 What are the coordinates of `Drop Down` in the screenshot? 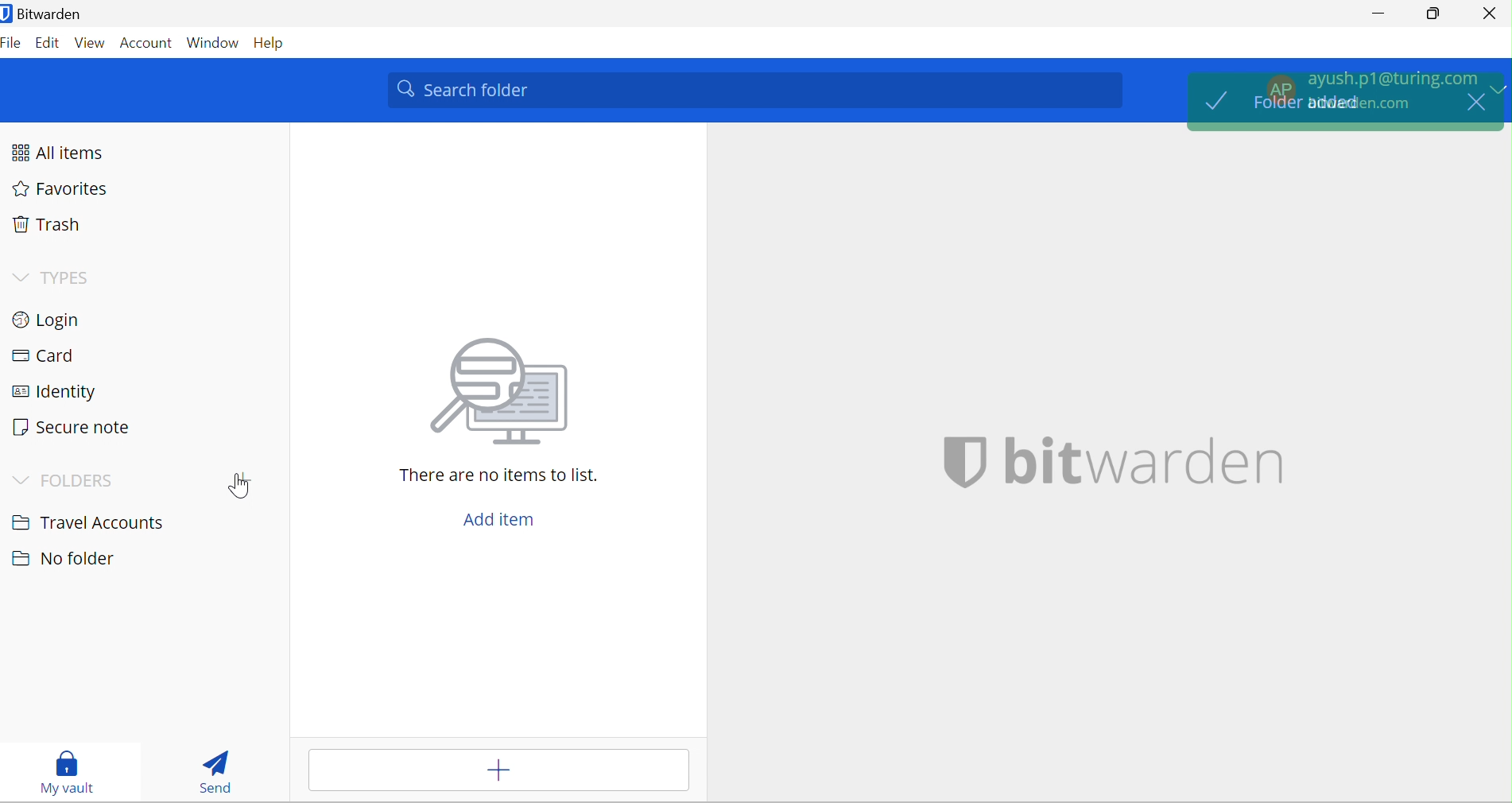 It's located at (21, 277).